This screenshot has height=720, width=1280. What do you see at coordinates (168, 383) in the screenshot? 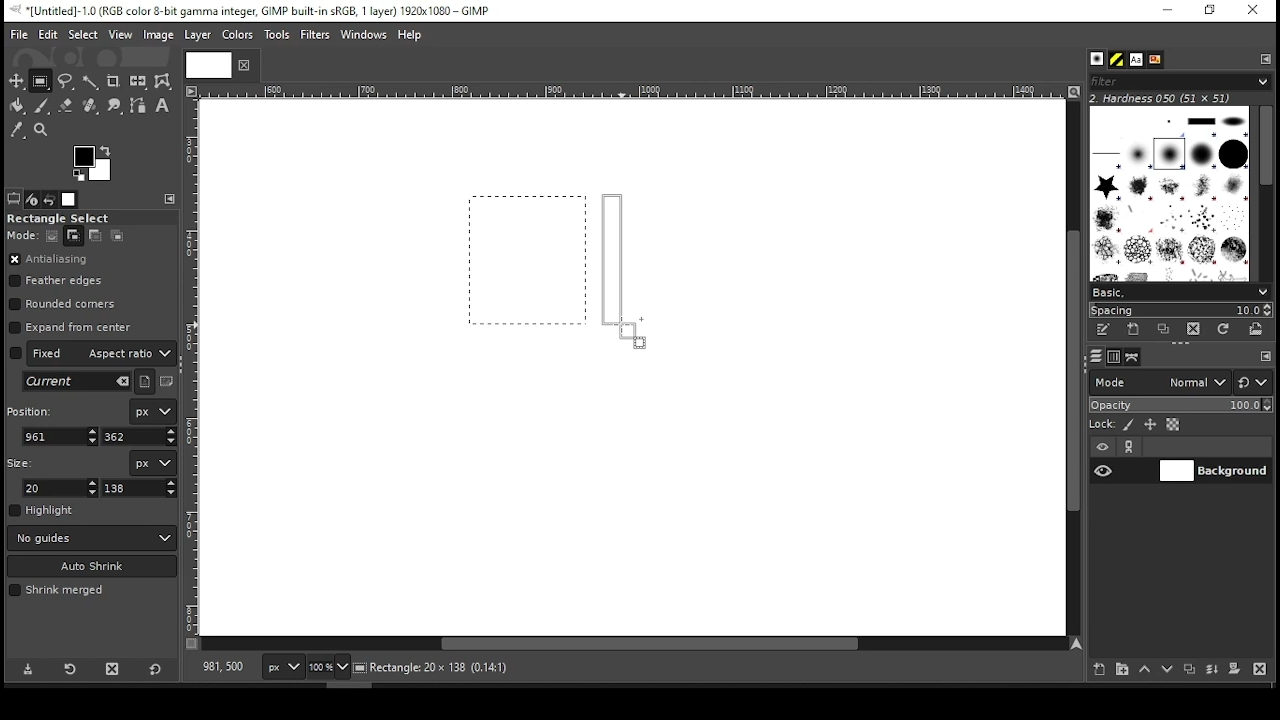
I see `landscape` at bounding box center [168, 383].